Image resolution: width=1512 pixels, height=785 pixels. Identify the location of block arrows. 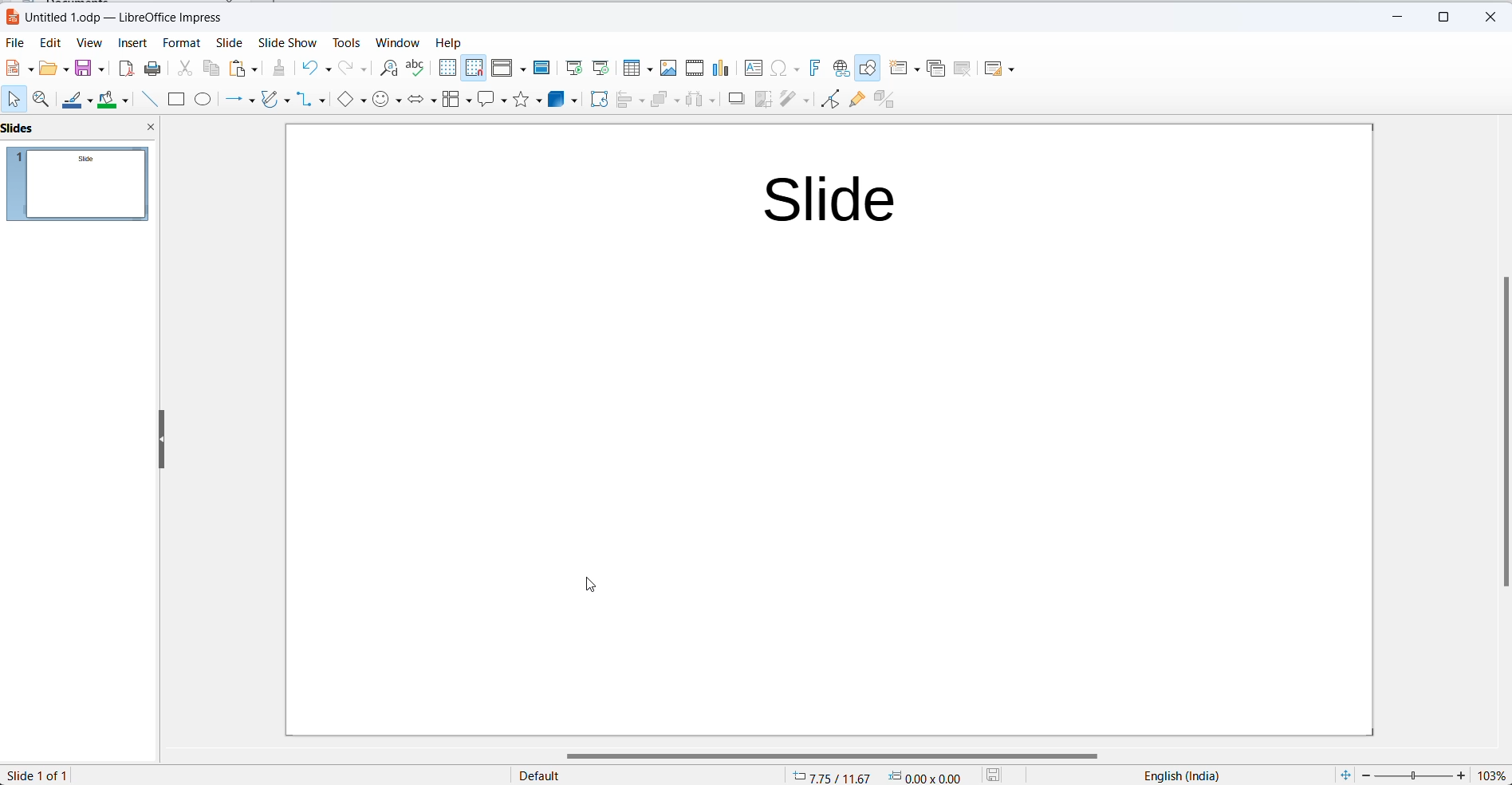
(421, 101).